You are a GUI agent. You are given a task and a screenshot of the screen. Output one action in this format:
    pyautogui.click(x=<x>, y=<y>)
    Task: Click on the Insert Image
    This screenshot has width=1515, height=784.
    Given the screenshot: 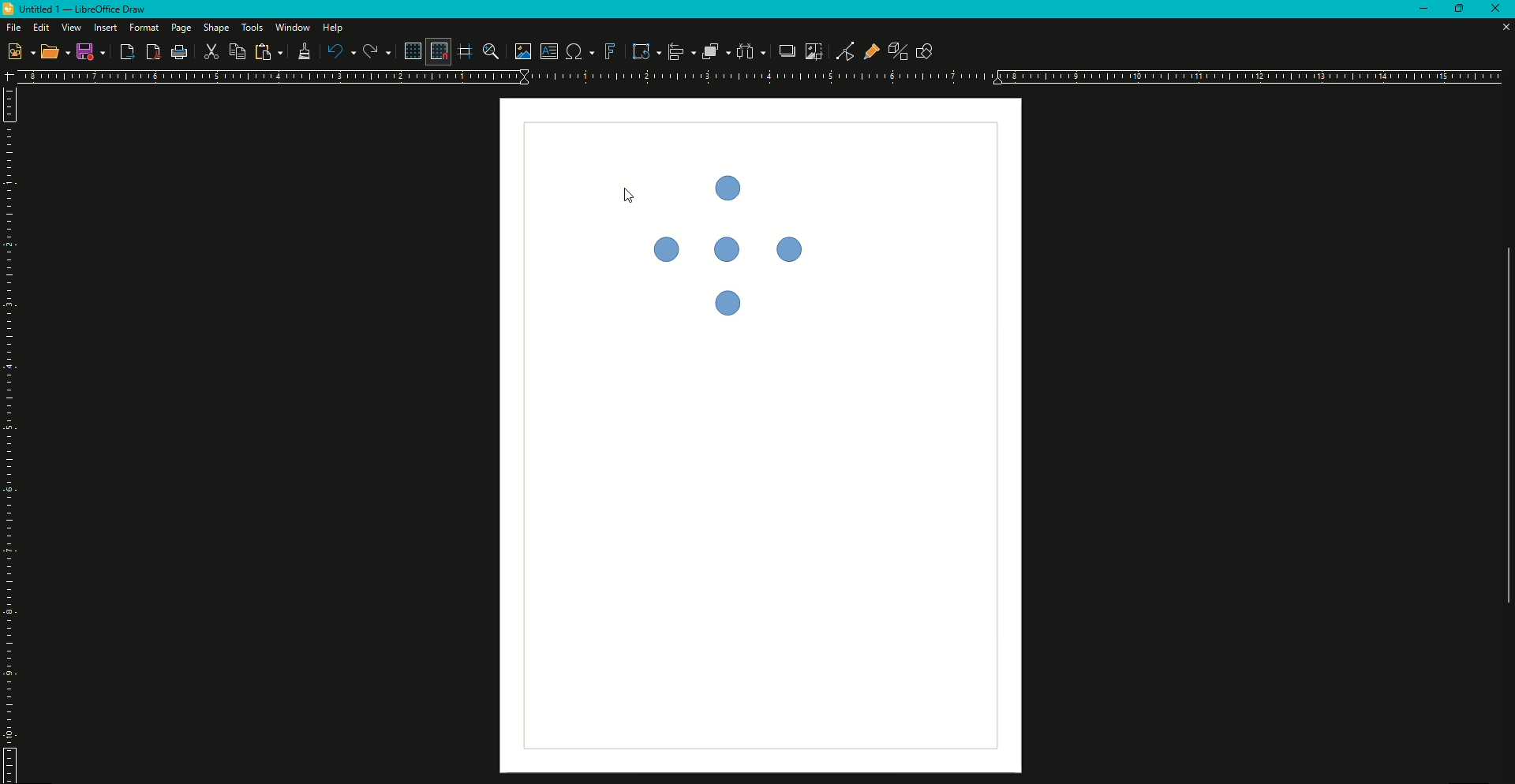 What is the action you would take?
    pyautogui.click(x=522, y=52)
    